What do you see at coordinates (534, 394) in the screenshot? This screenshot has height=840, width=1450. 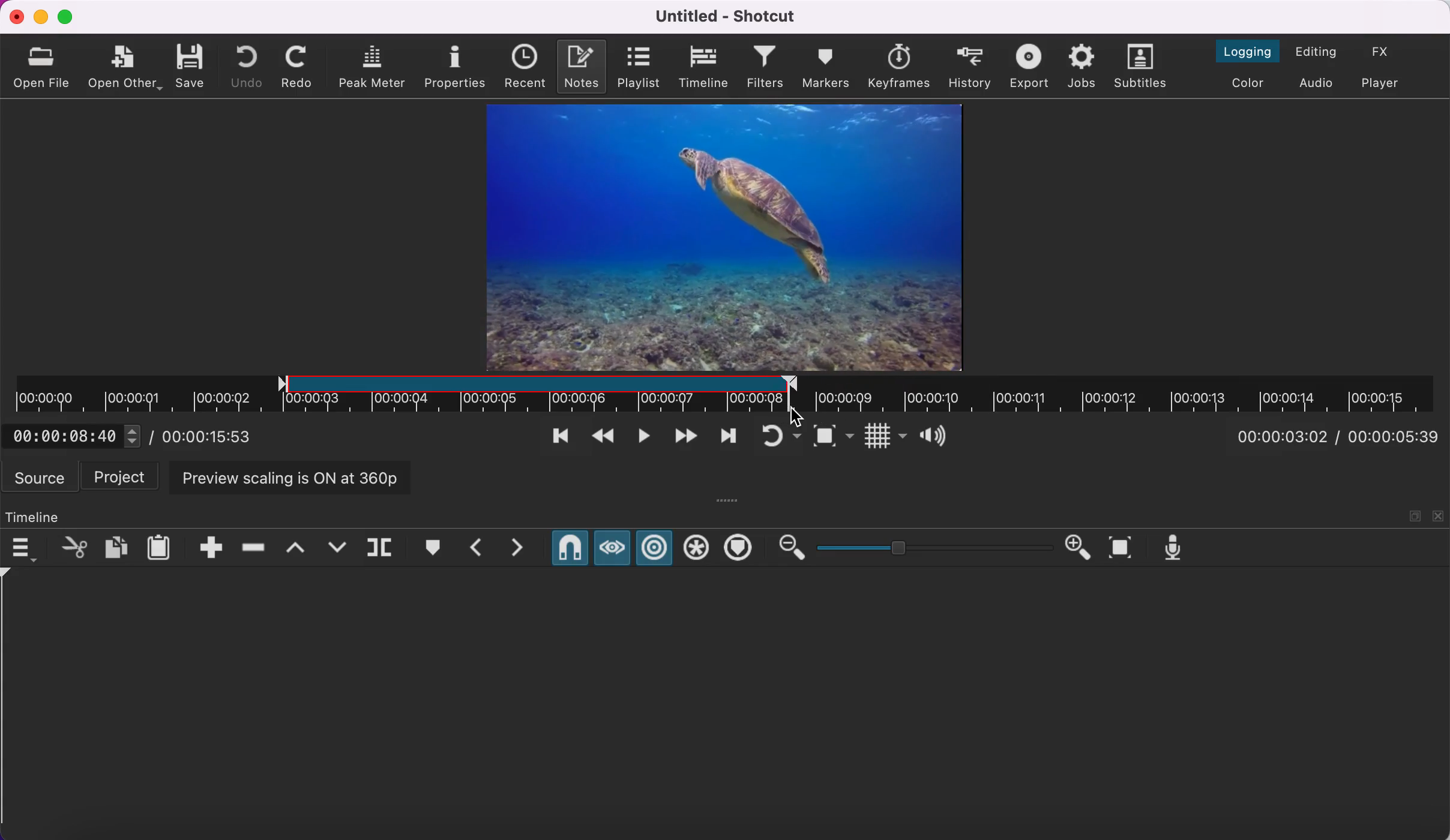 I see `clipped region of timeline` at bounding box center [534, 394].